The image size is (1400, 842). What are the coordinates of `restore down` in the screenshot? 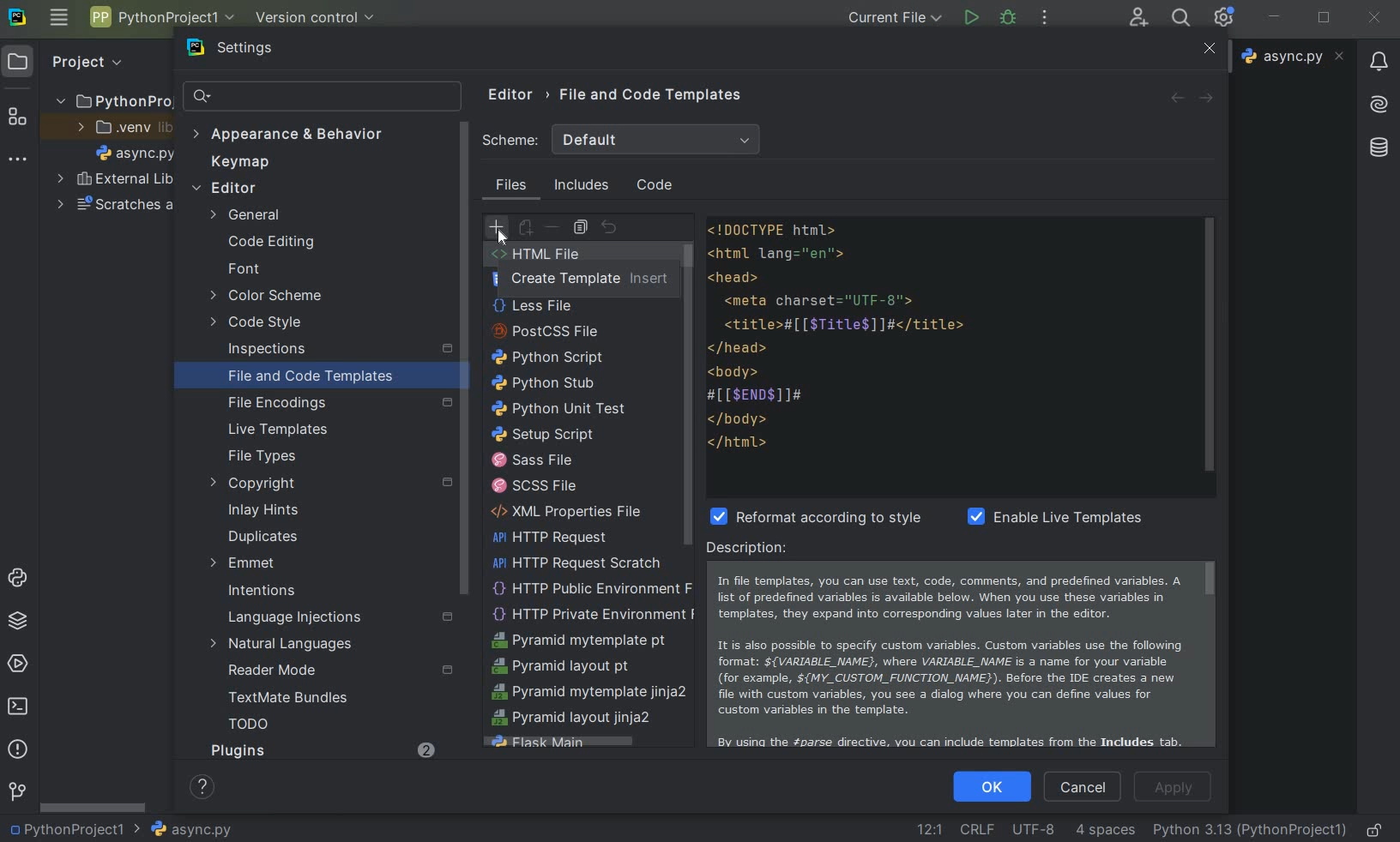 It's located at (1326, 18).